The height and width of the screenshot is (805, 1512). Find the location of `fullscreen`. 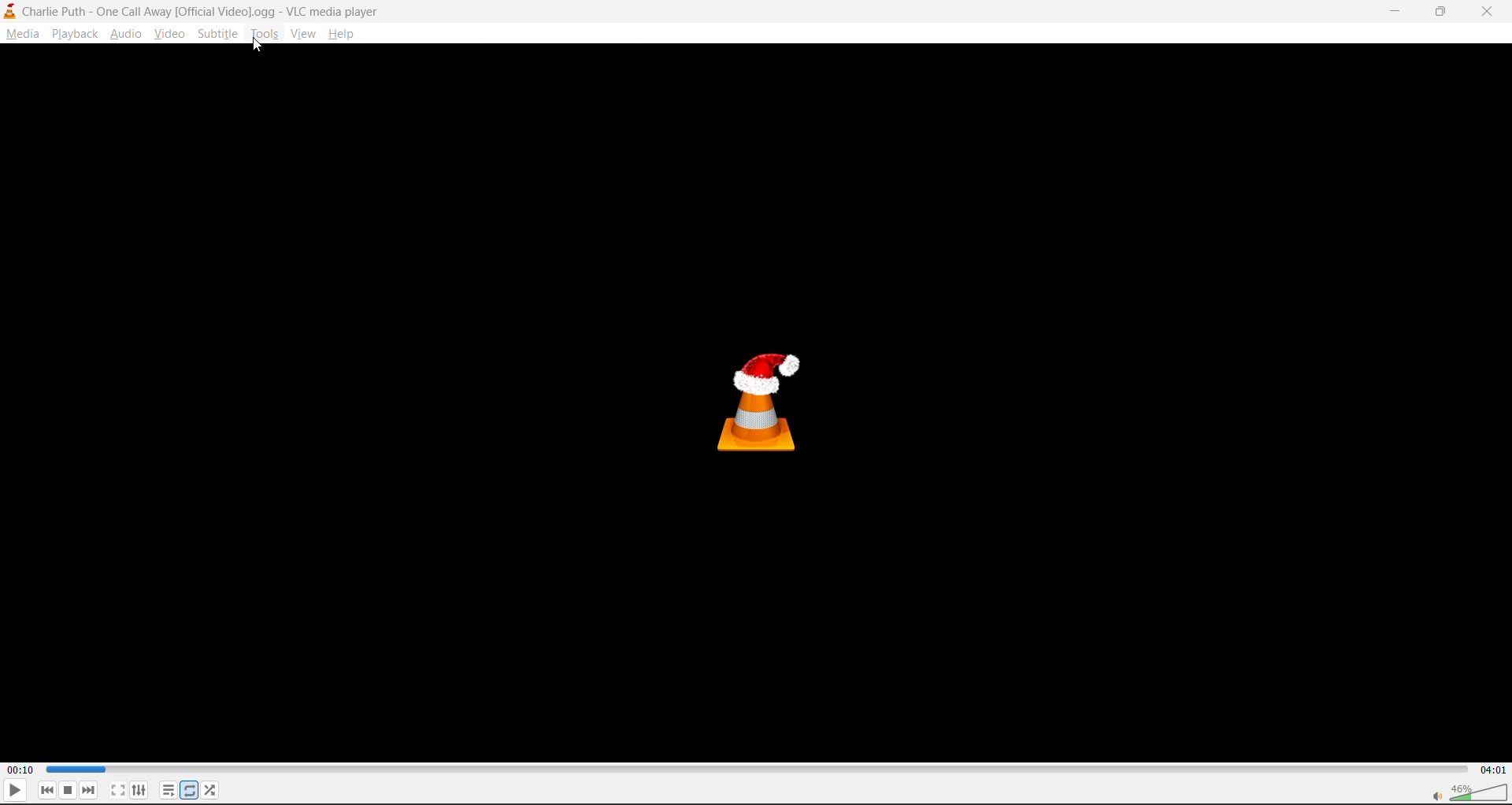

fullscreen is located at coordinates (117, 791).